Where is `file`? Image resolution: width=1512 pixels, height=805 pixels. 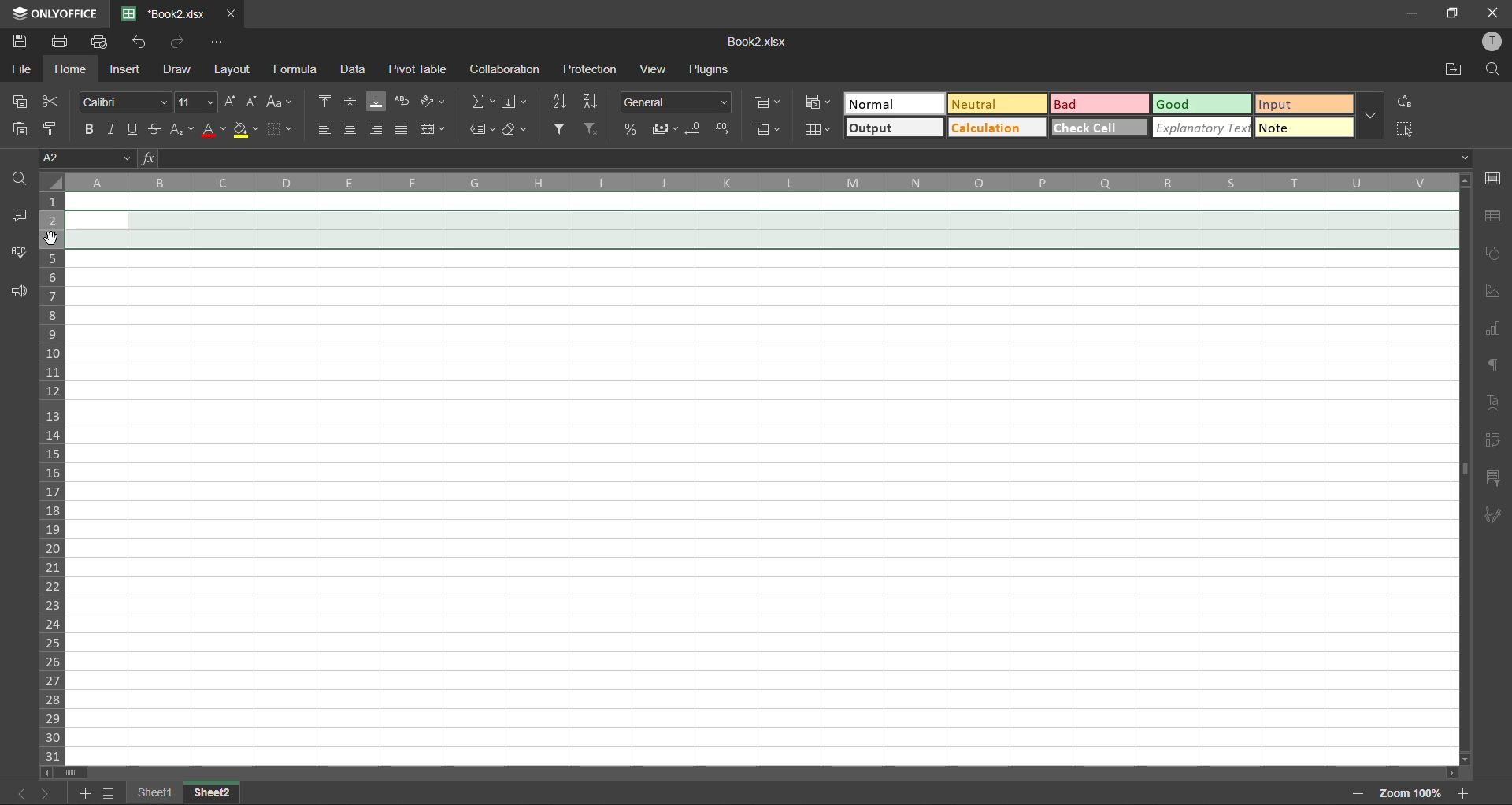
file is located at coordinates (22, 68).